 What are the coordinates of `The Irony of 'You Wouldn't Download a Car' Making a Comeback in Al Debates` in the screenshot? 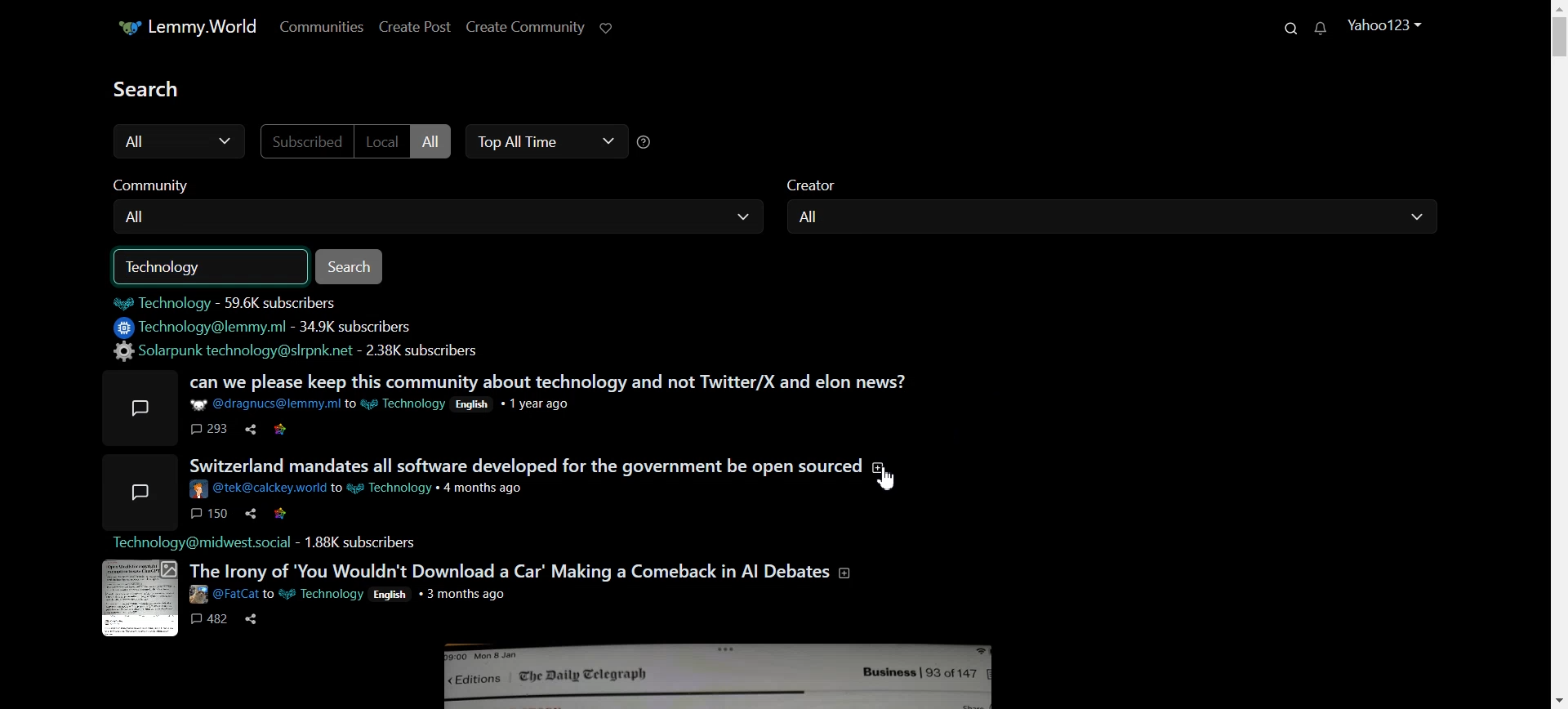 It's located at (523, 570).